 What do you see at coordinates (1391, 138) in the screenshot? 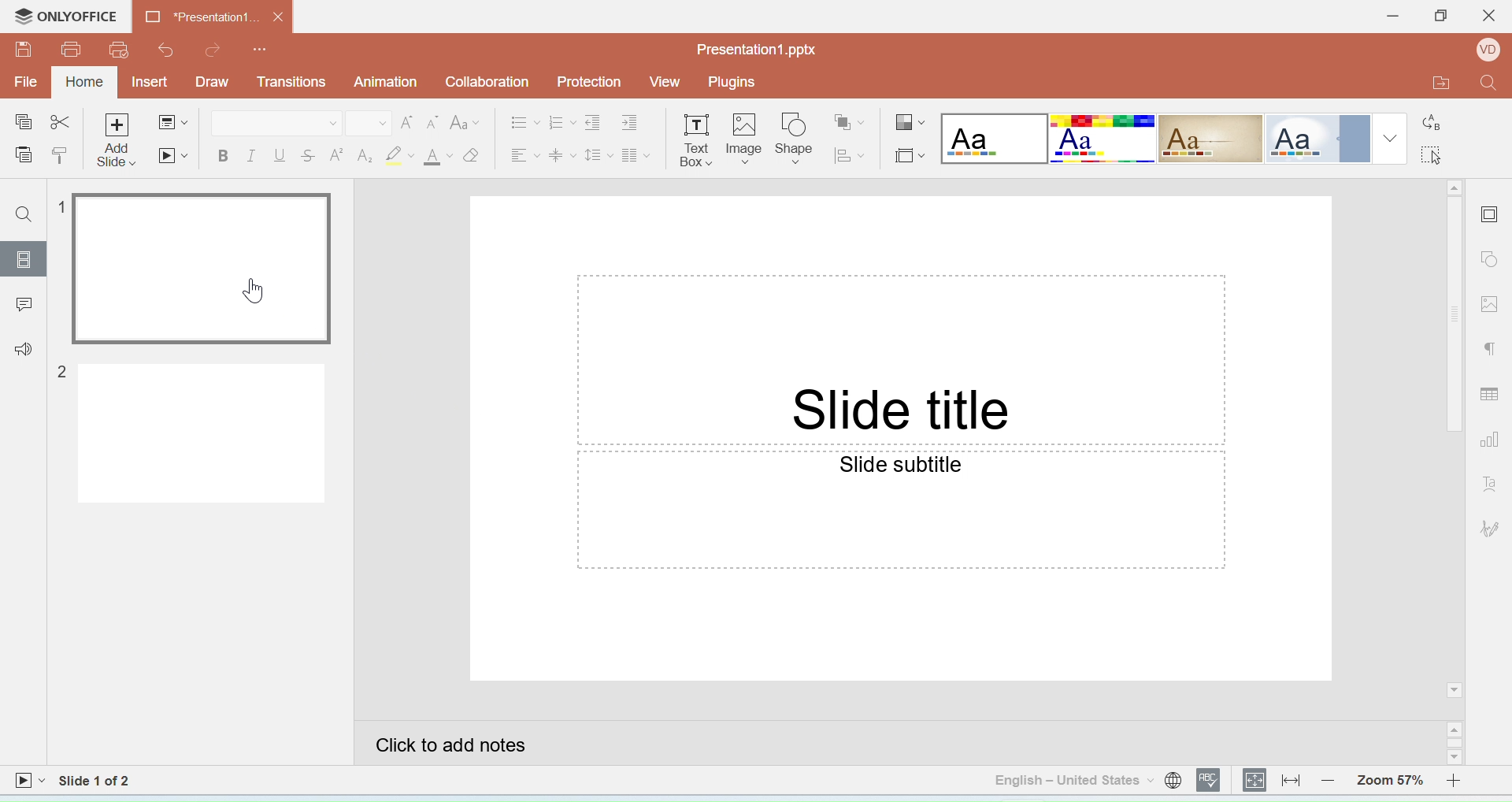
I see `Drop down` at bounding box center [1391, 138].